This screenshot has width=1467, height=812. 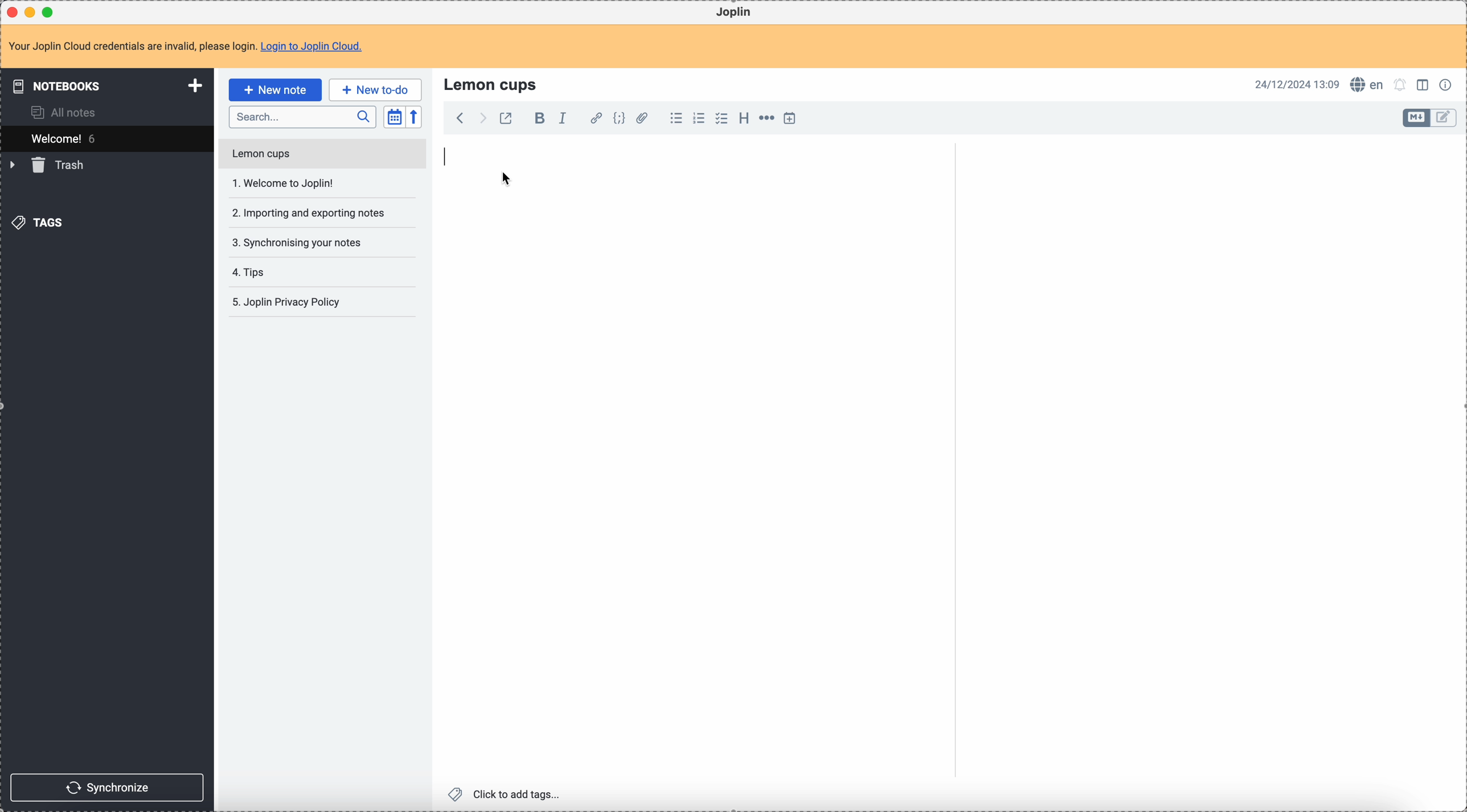 What do you see at coordinates (733, 13) in the screenshot?
I see `Joplin` at bounding box center [733, 13].